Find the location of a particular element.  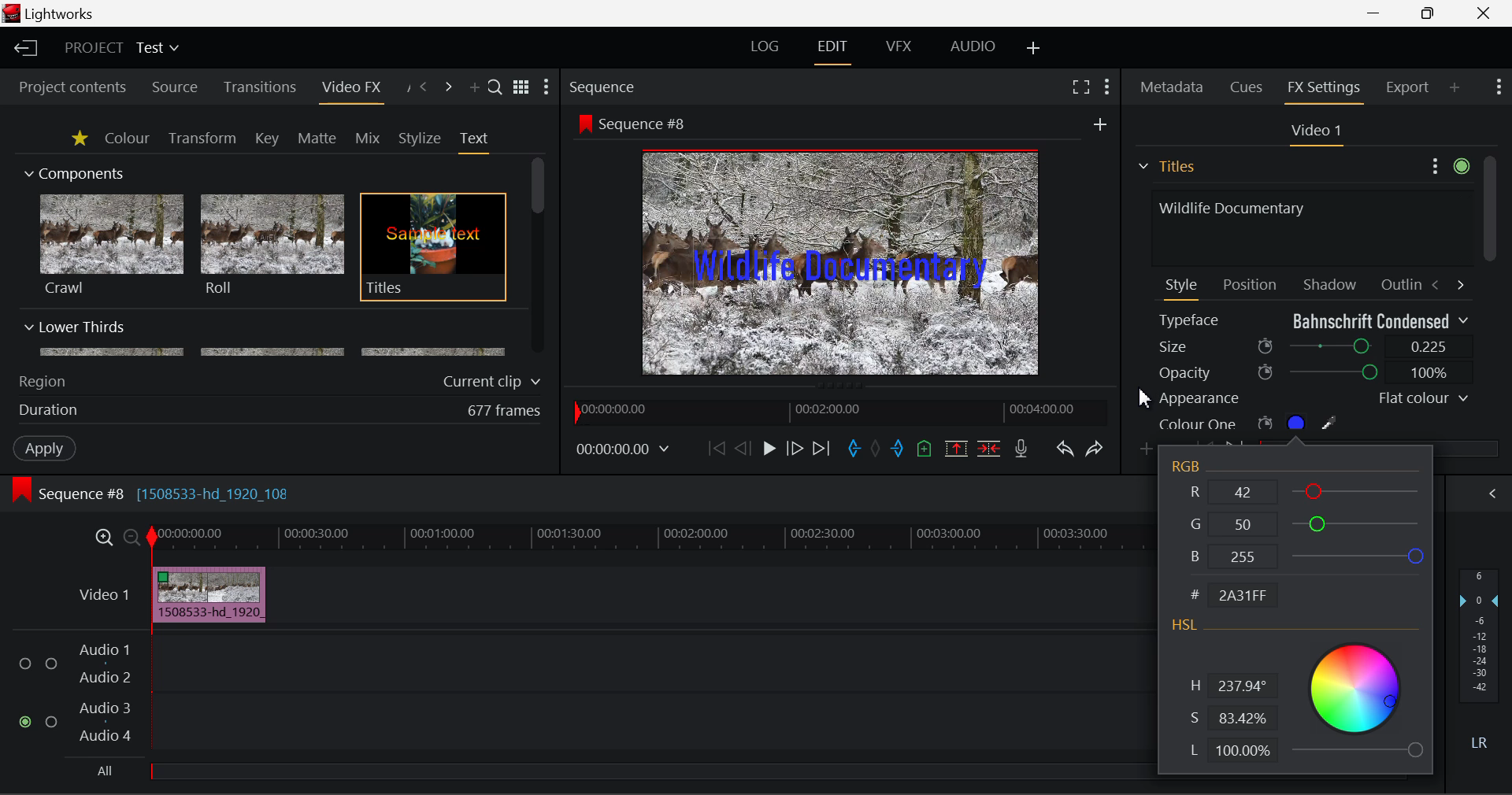

Opacity is located at coordinates (1314, 372).